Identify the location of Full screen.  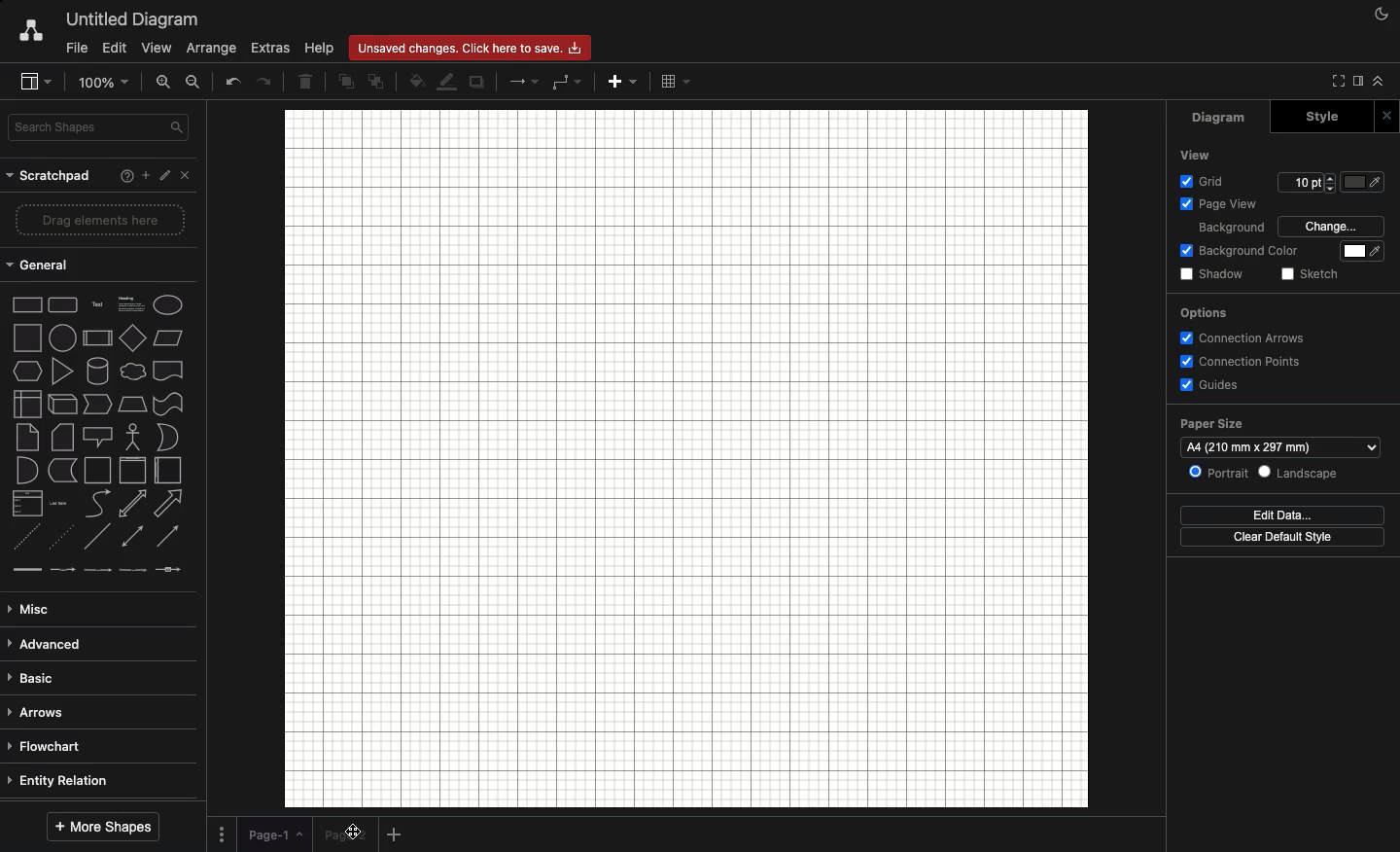
(1334, 83).